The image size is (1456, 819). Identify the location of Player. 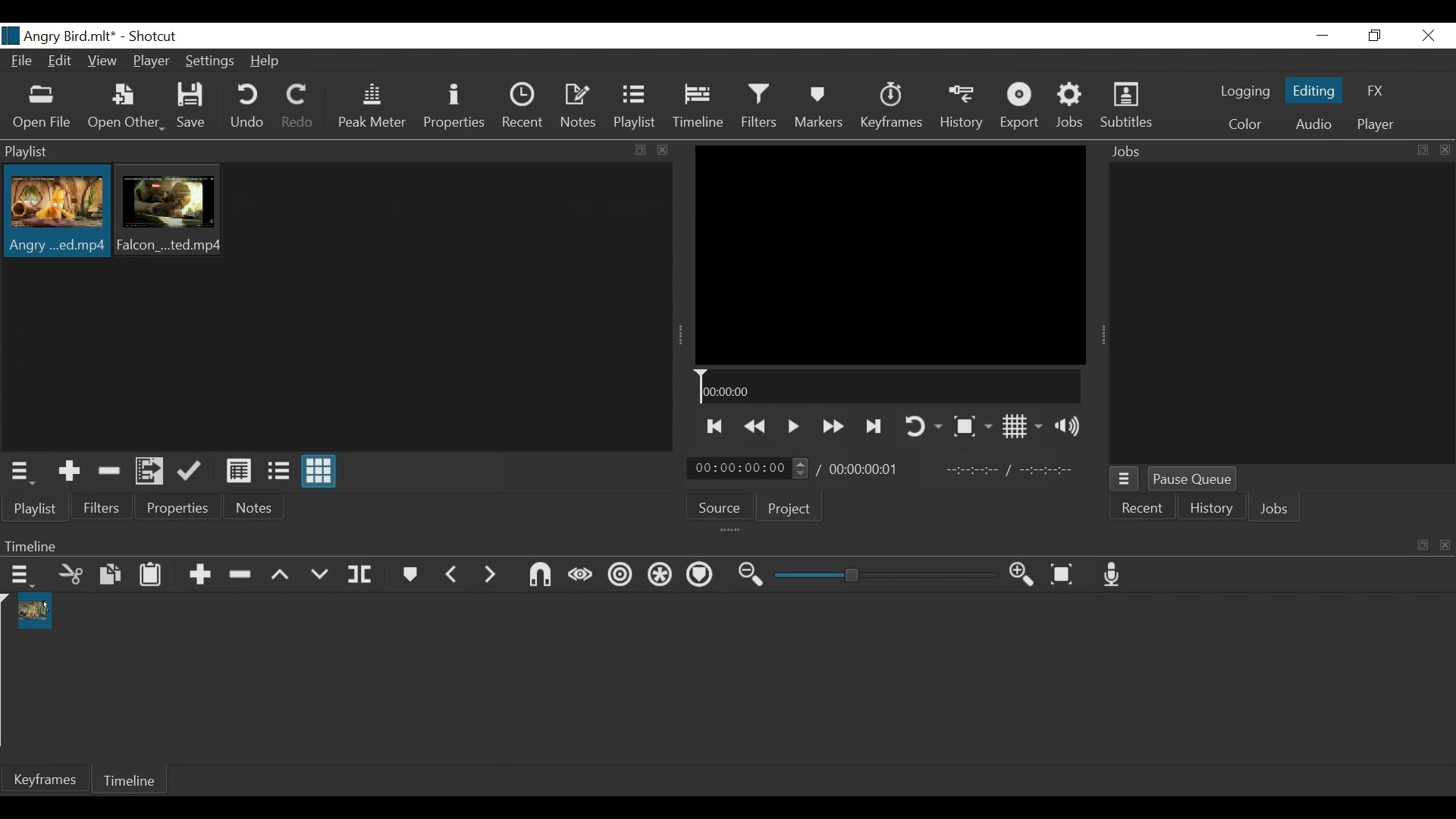
(1376, 124).